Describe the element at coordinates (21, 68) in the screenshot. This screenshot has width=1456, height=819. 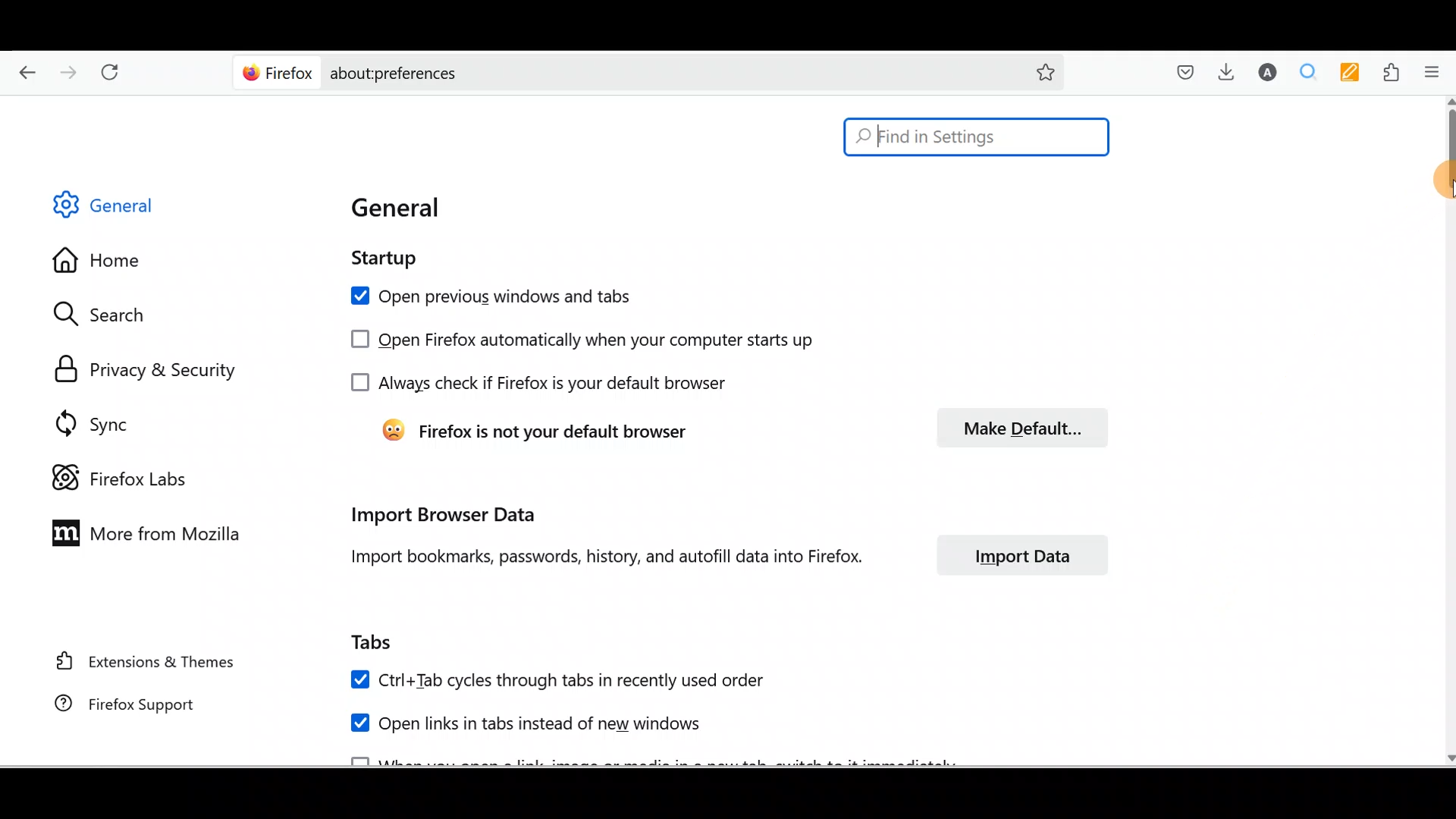
I see `Go back one page` at that location.